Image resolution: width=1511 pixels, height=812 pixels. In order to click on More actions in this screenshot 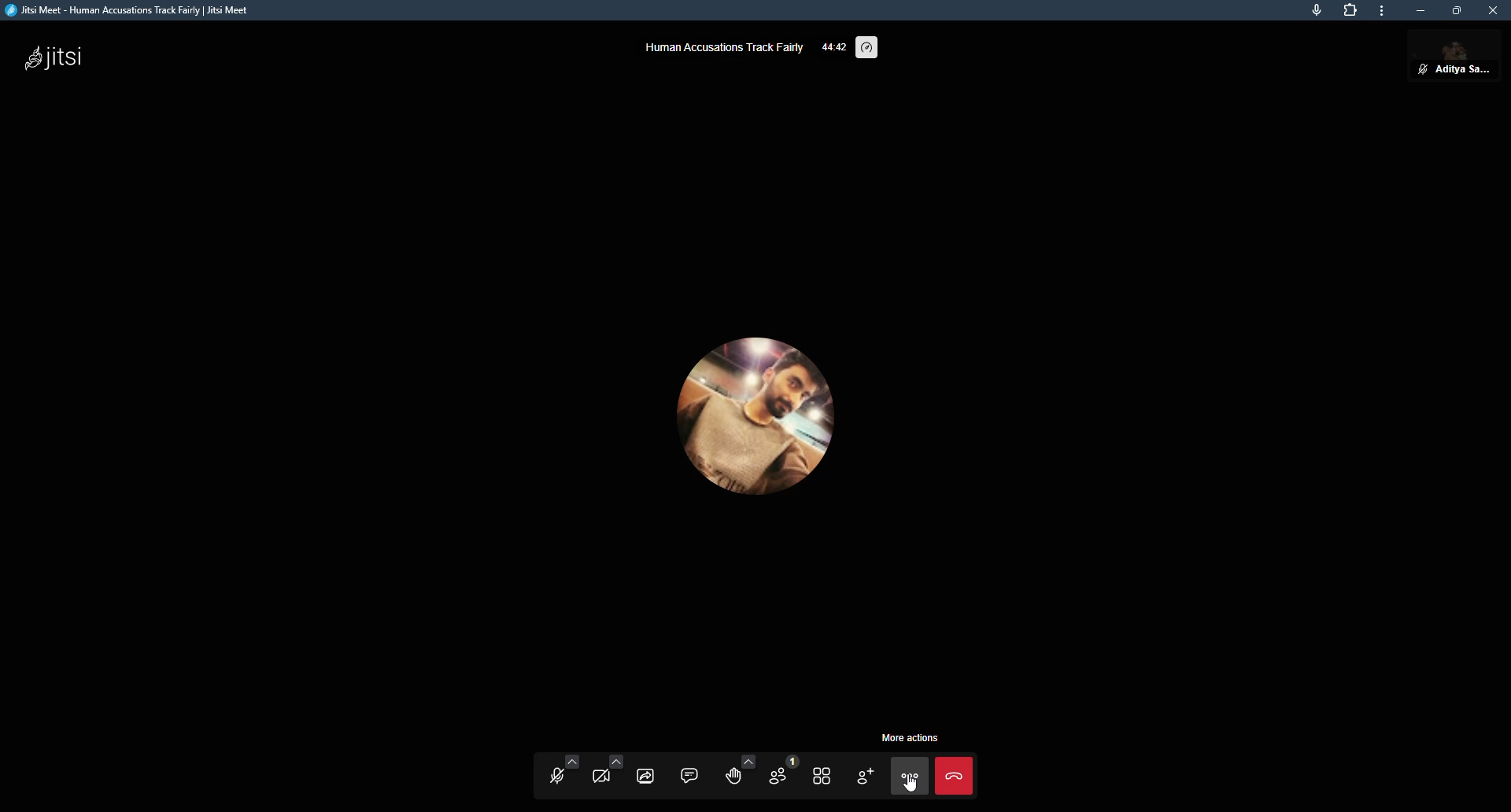, I will do `click(908, 739)`.